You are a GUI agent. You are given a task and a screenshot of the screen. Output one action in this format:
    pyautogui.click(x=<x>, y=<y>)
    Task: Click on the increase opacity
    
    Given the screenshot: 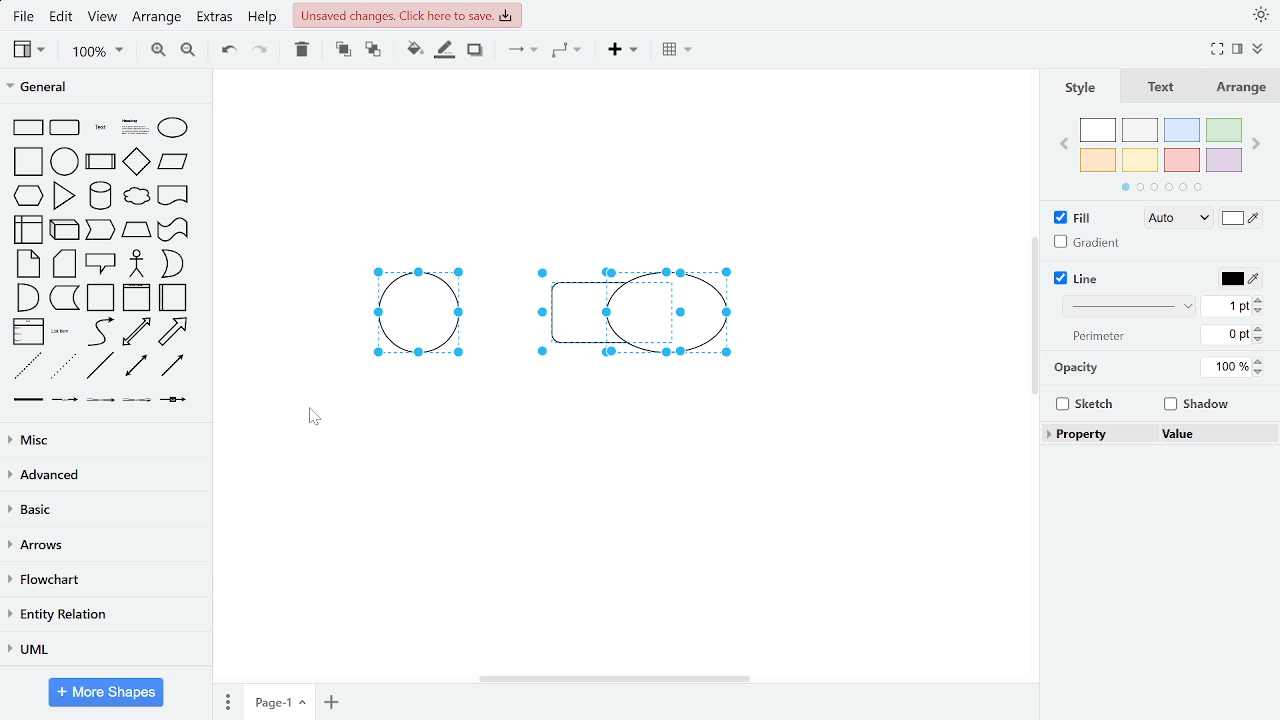 What is the action you would take?
    pyautogui.click(x=1259, y=360)
    